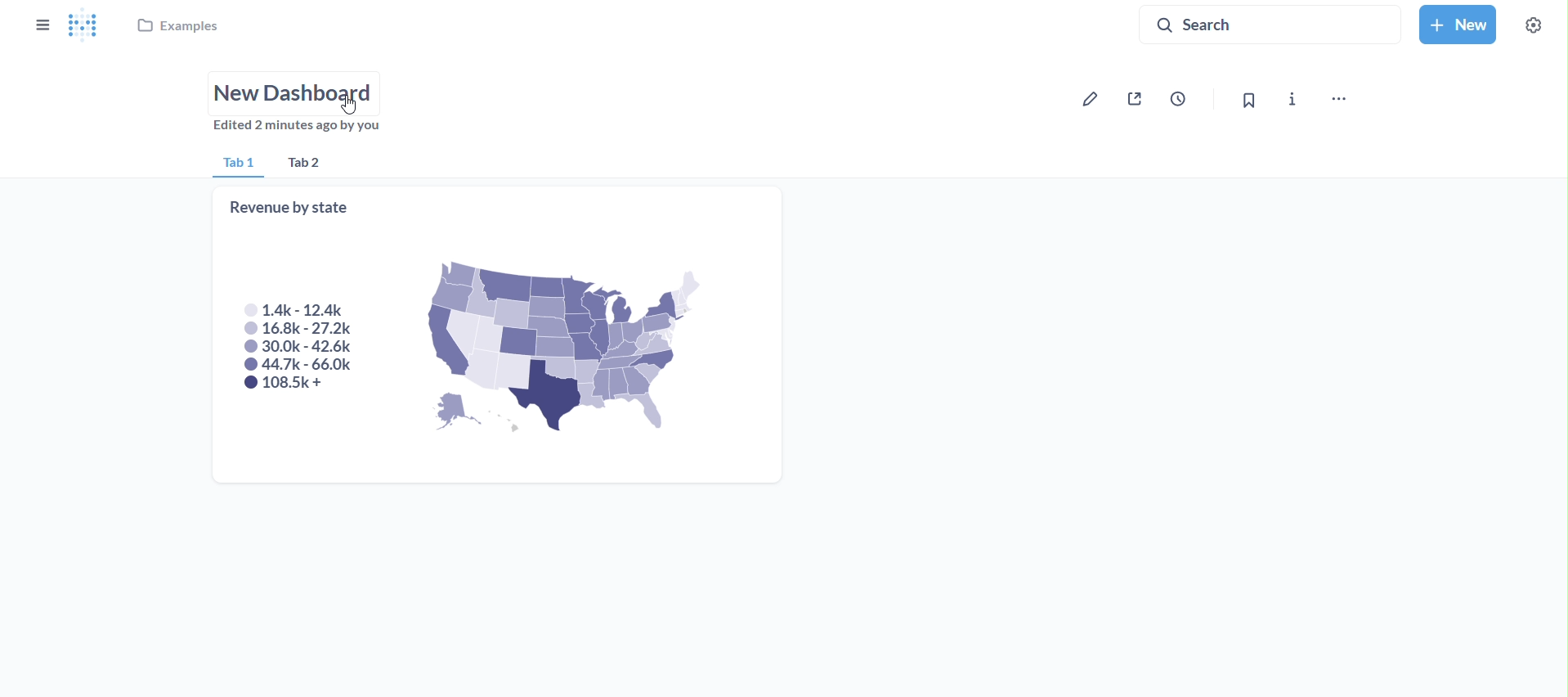  Describe the element at coordinates (1292, 100) in the screenshot. I see `more info` at that location.